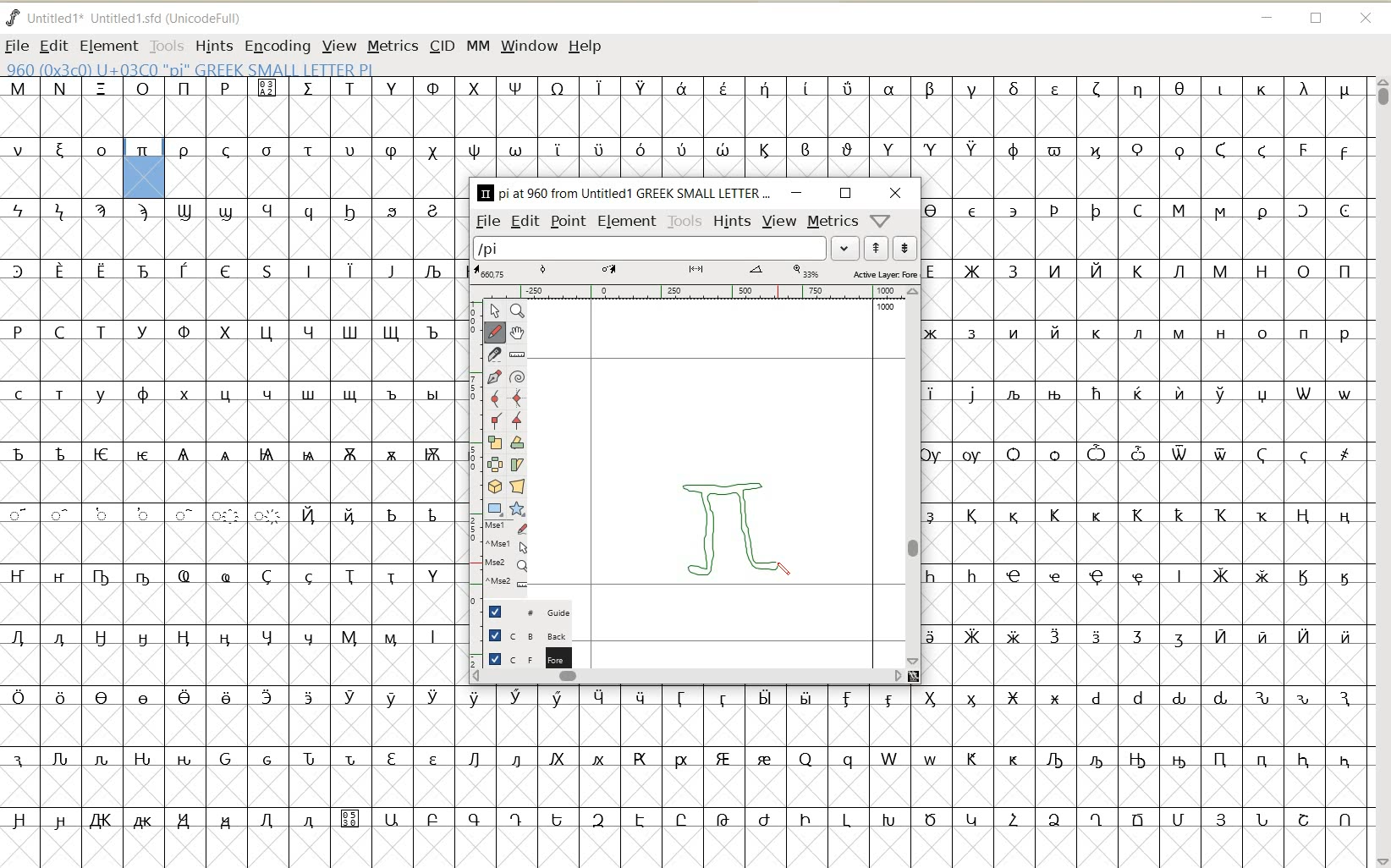 The image size is (1391, 868). I want to click on GUIDE, so click(521, 612).